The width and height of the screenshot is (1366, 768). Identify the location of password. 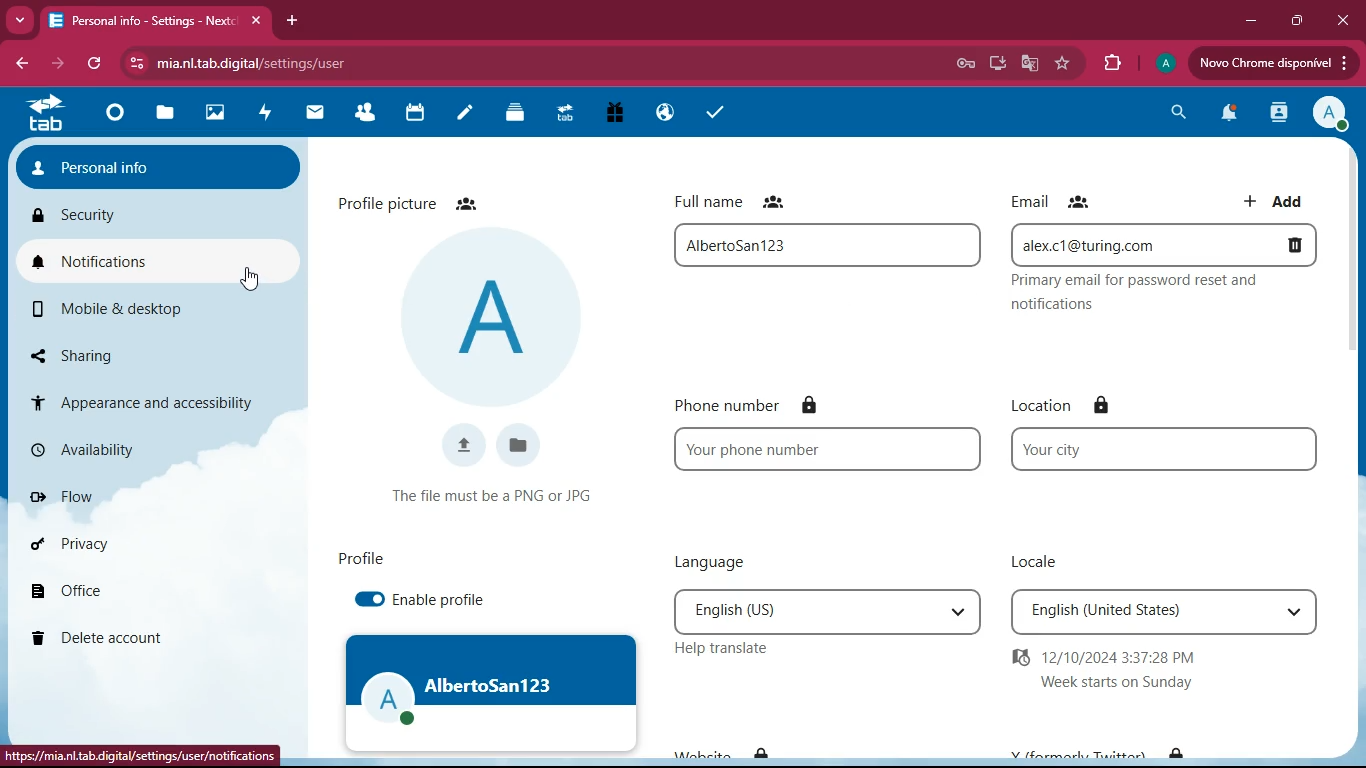
(968, 64).